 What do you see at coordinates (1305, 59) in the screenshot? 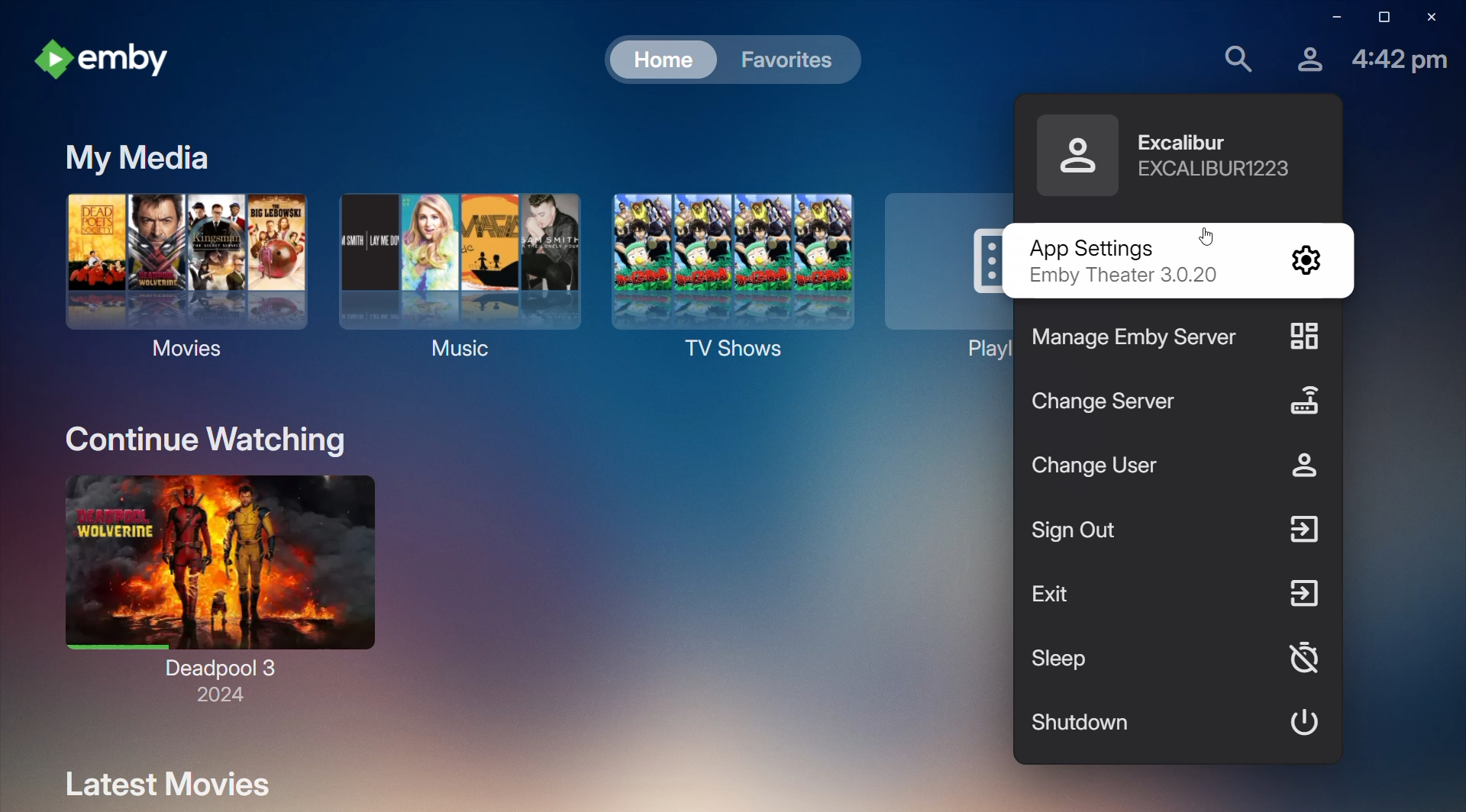
I see `Profile` at bounding box center [1305, 59].